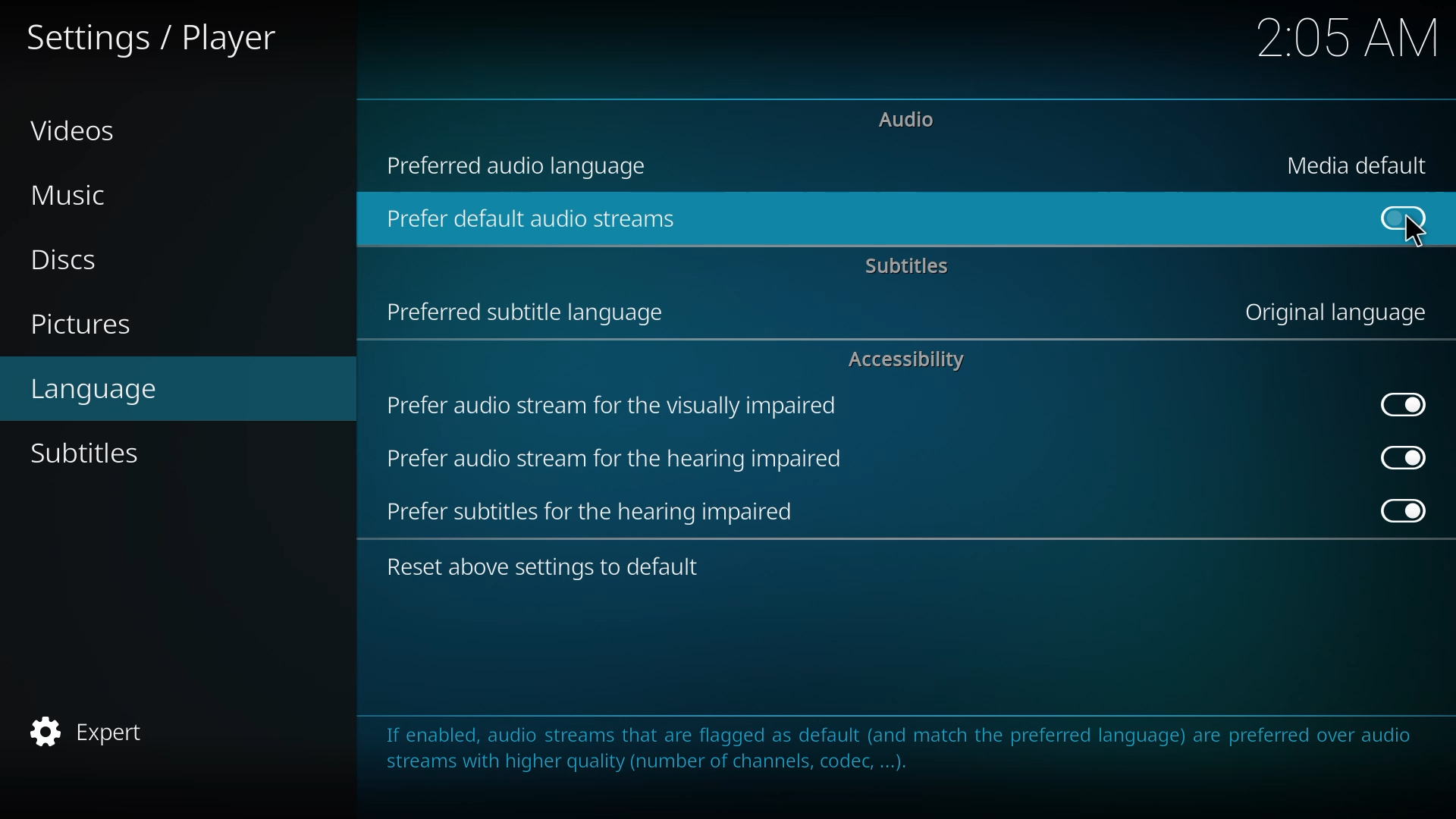 This screenshot has width=1456, height=819. What do you see at coordinates (1414, 233) in the screenshot?
I see `cursor` at bounding box center [1414, 233].